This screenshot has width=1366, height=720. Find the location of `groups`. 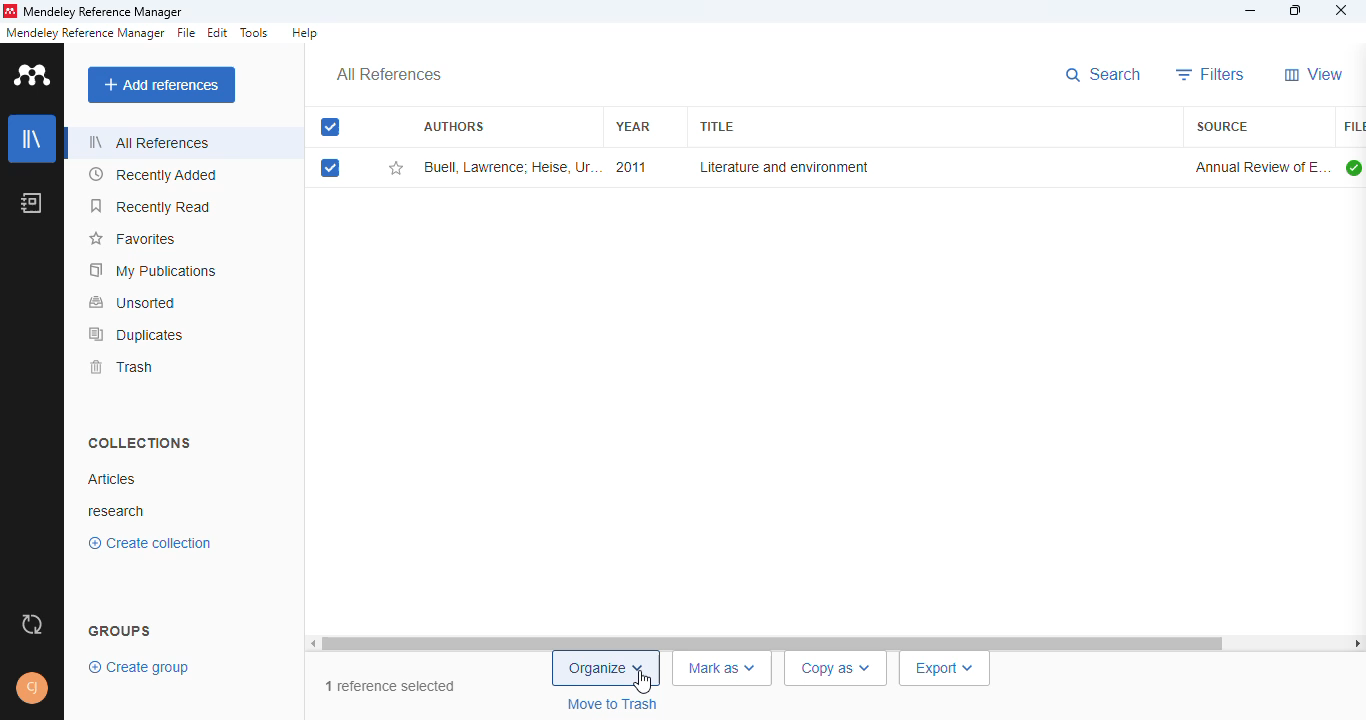

groups is located at coordinates (120, 628).